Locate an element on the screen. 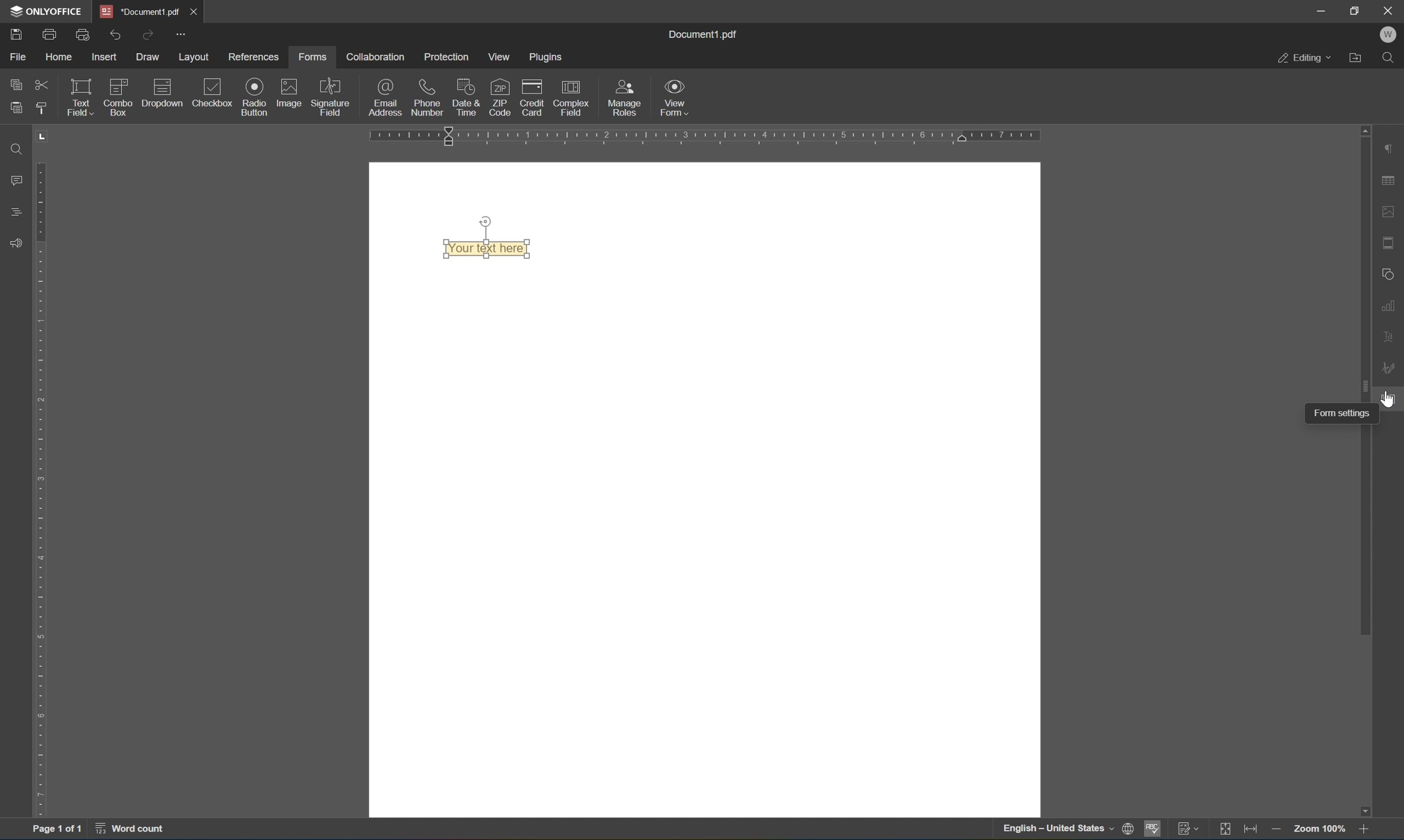  rotate is located at coordinates (485, 221).